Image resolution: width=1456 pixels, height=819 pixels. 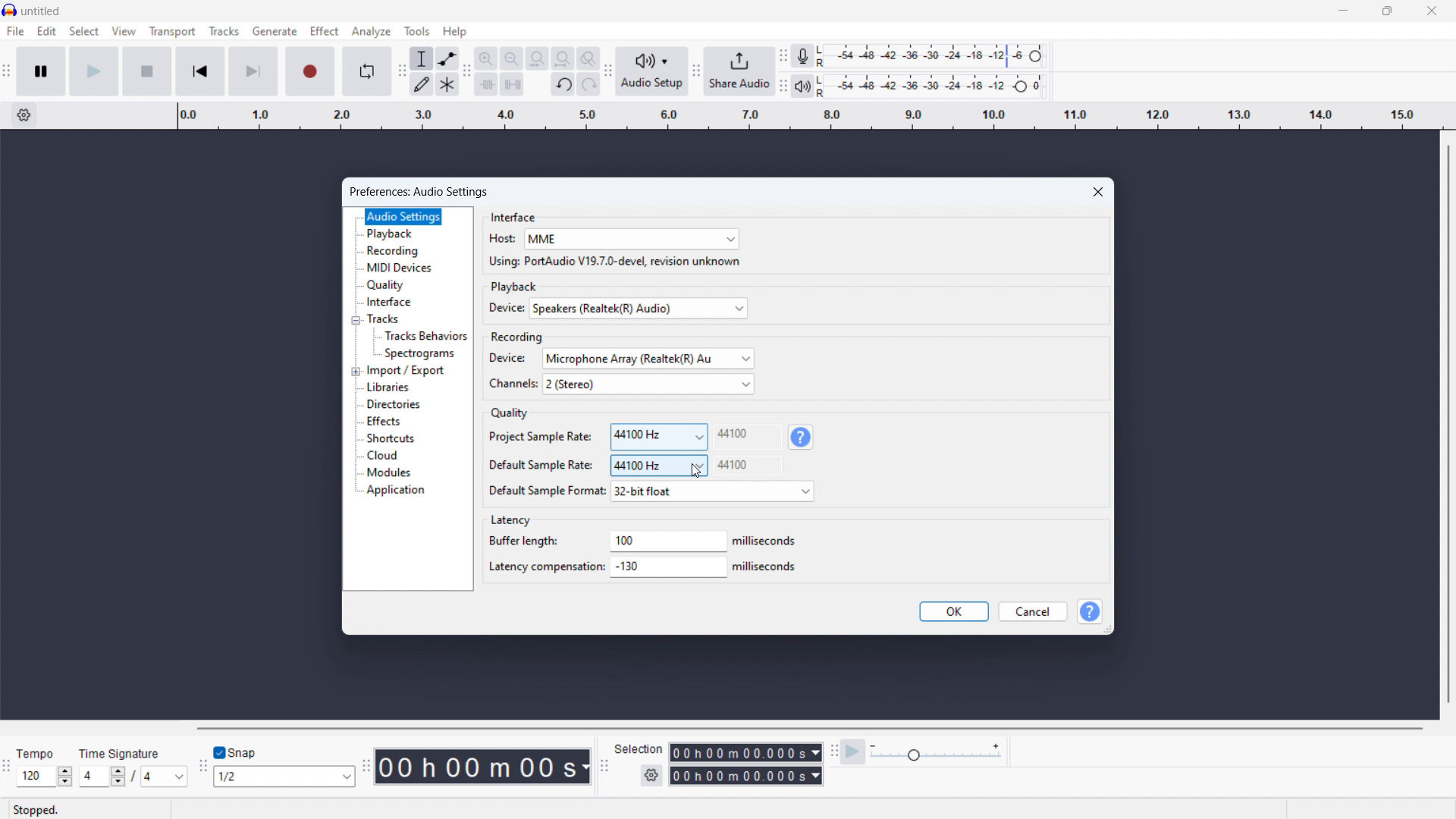 I want to click on expand, so click(x=355, y=371).